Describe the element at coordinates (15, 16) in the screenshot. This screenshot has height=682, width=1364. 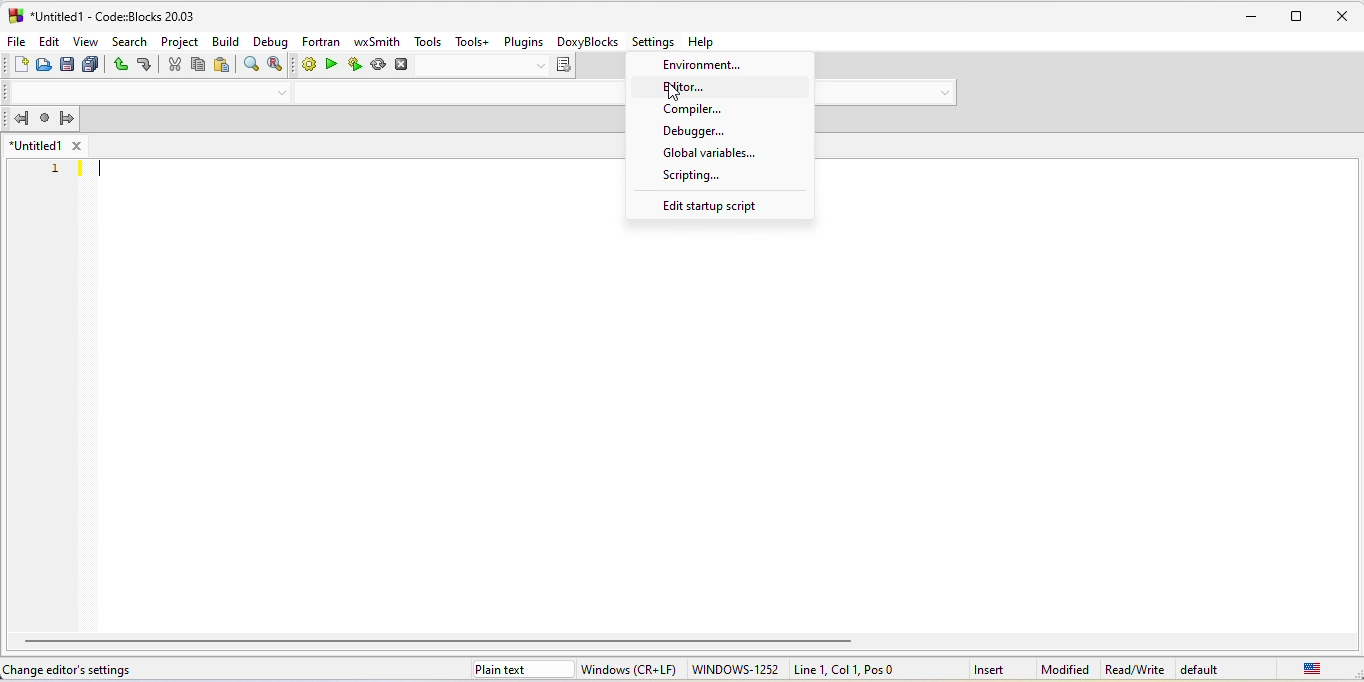
I see `logo` at that location.